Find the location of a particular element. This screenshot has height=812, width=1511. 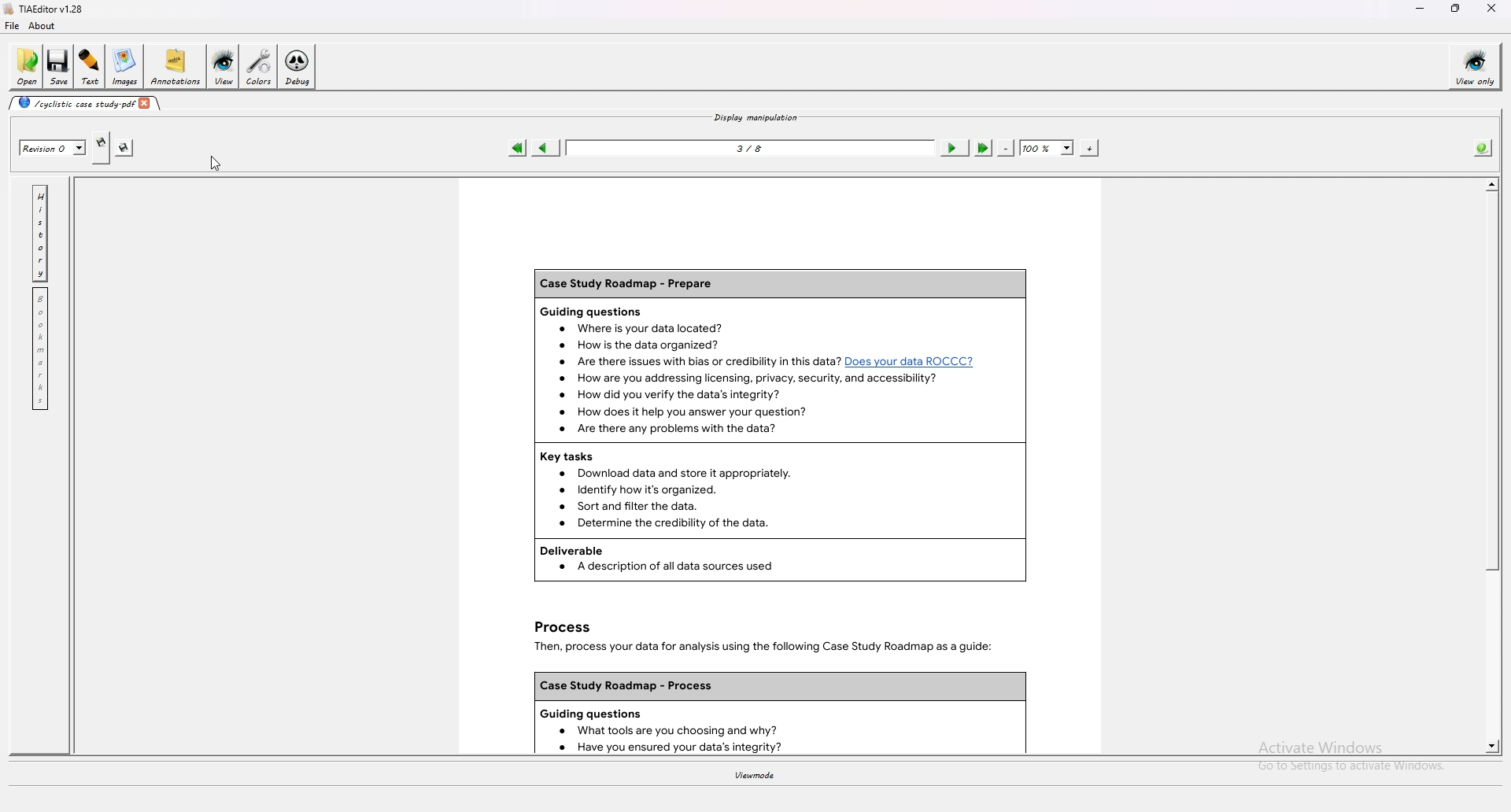

Identify how it's organized. is located at coordinates (641, 490).